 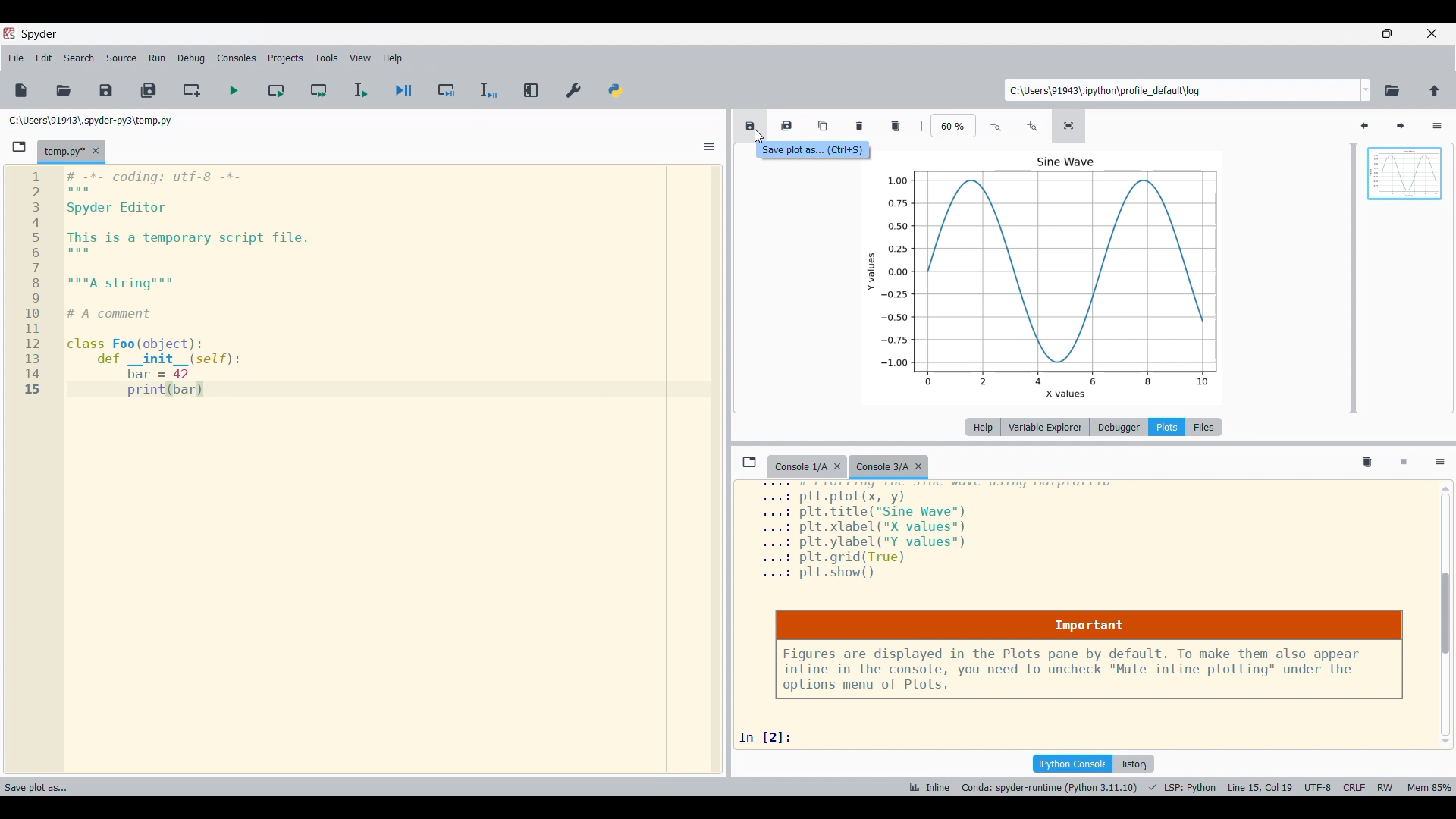 What do you see at coordinates (1089, 655) in the screenshot?
I see `Notice` at bounding box center [1089, 655].